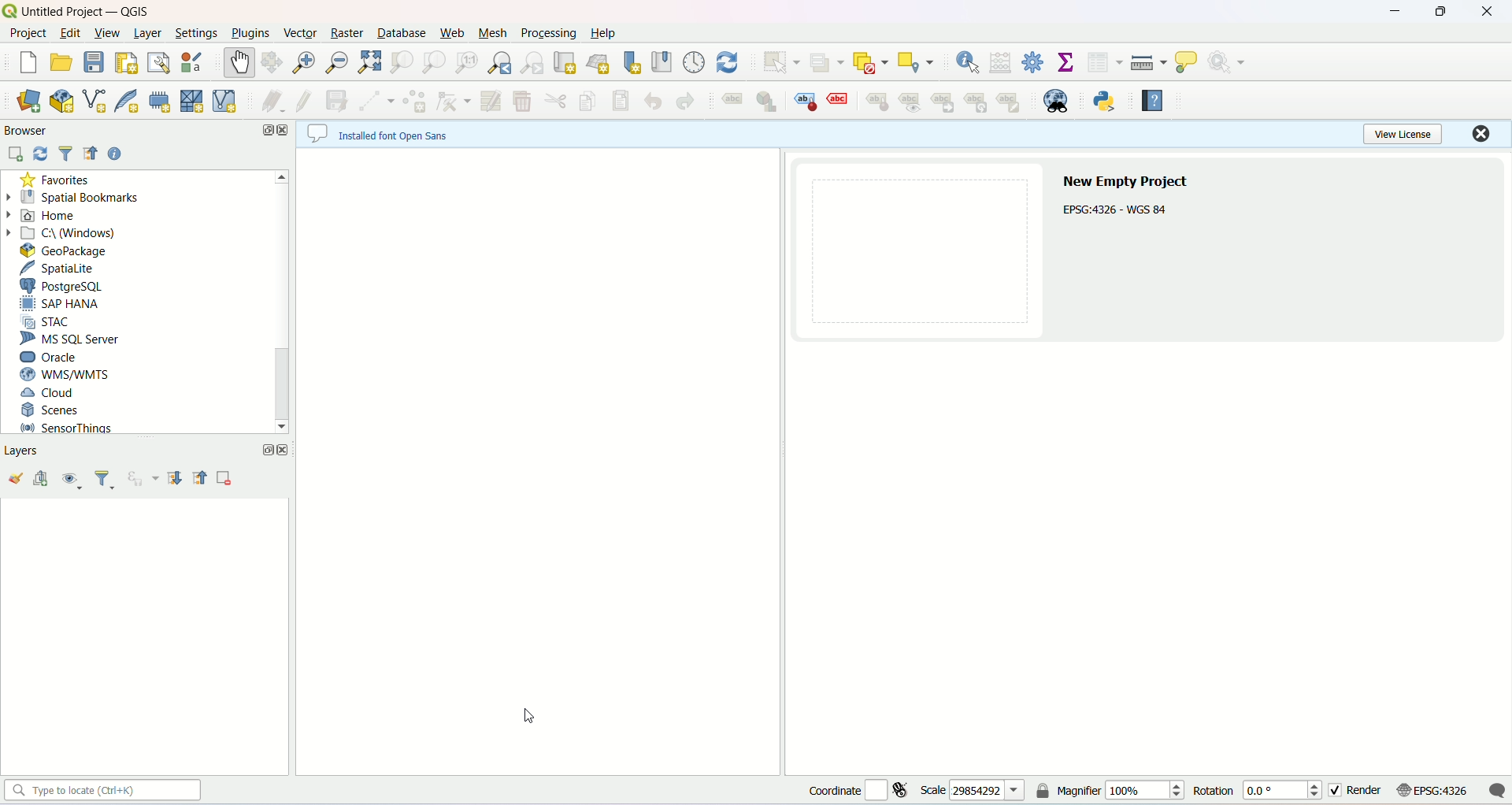 The image size is (1512, 805). I want to click on layer, so click(146, 34).